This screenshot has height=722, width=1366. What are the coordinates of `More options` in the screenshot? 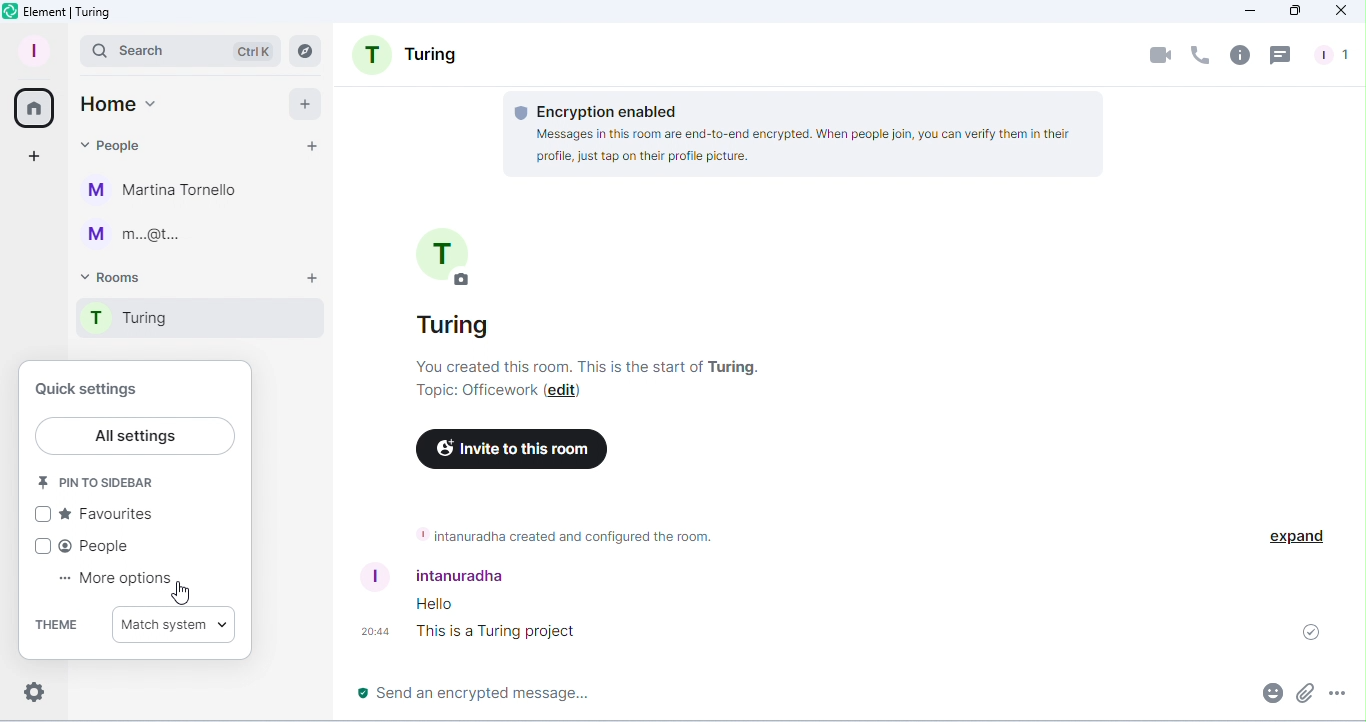 It's located at (1334, 693).